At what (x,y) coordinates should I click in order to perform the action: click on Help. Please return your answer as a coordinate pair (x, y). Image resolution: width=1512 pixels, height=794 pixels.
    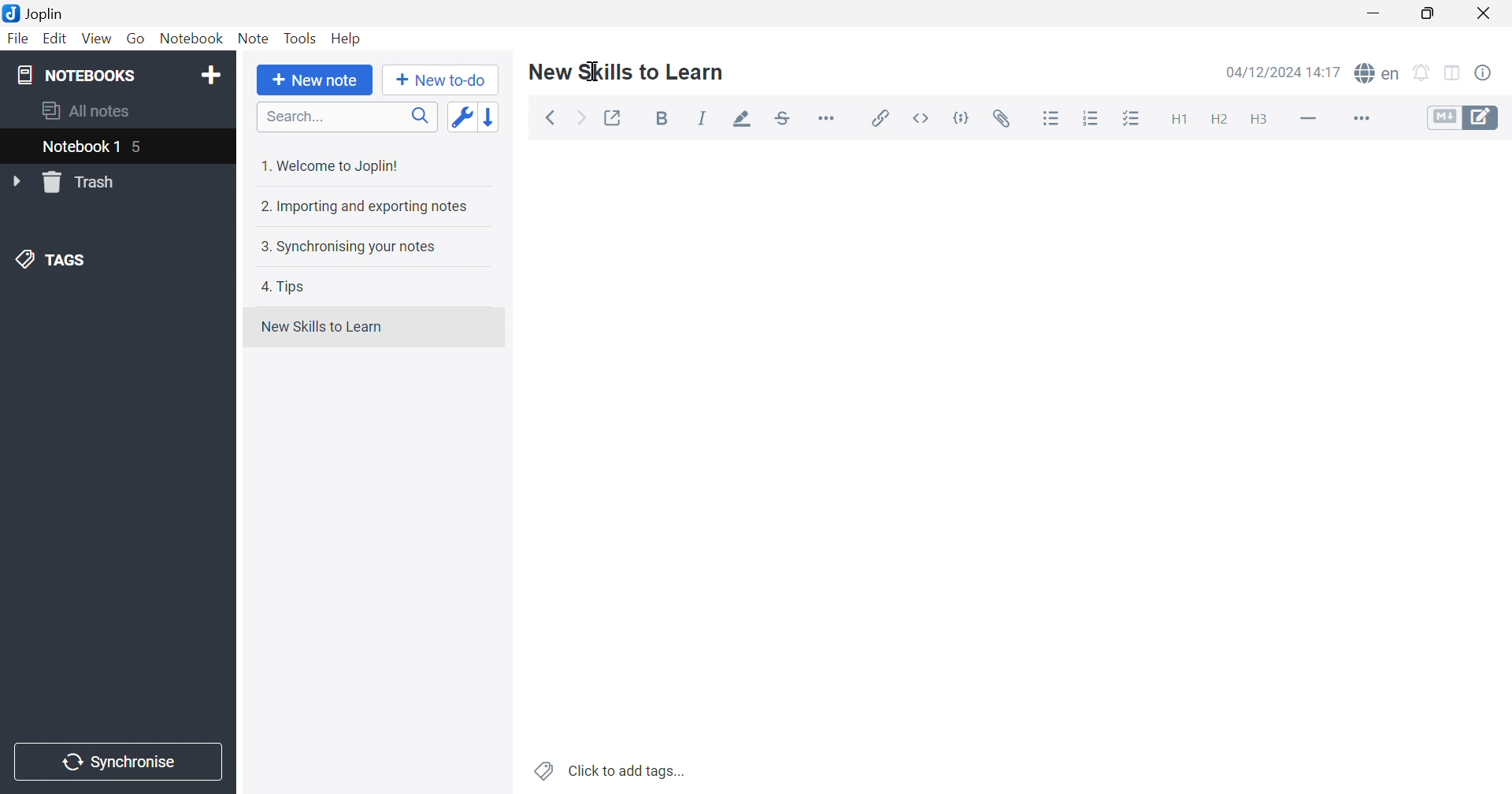
    Looking at the image, I should click on (347, 39).